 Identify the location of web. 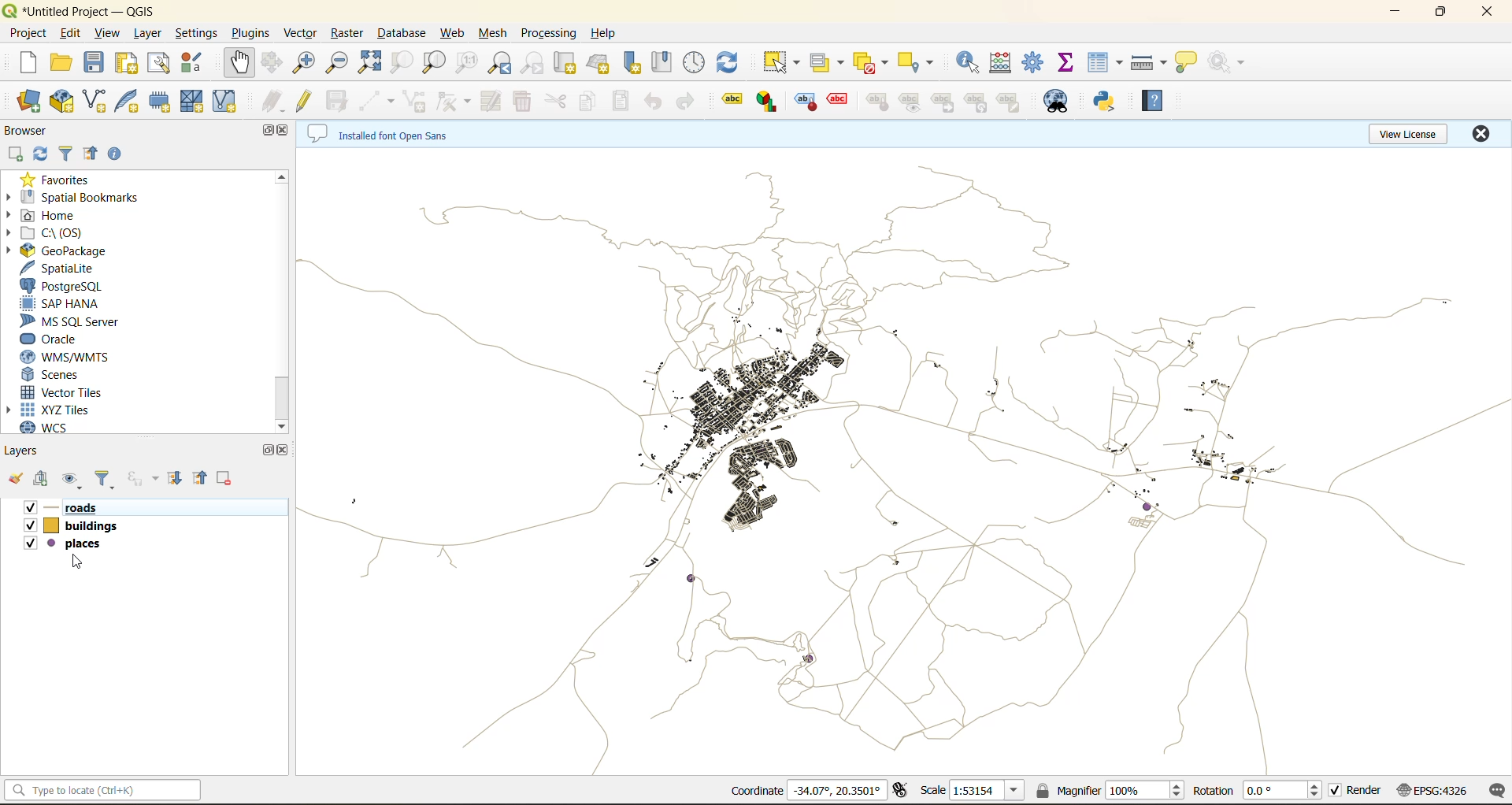
(454, 35).